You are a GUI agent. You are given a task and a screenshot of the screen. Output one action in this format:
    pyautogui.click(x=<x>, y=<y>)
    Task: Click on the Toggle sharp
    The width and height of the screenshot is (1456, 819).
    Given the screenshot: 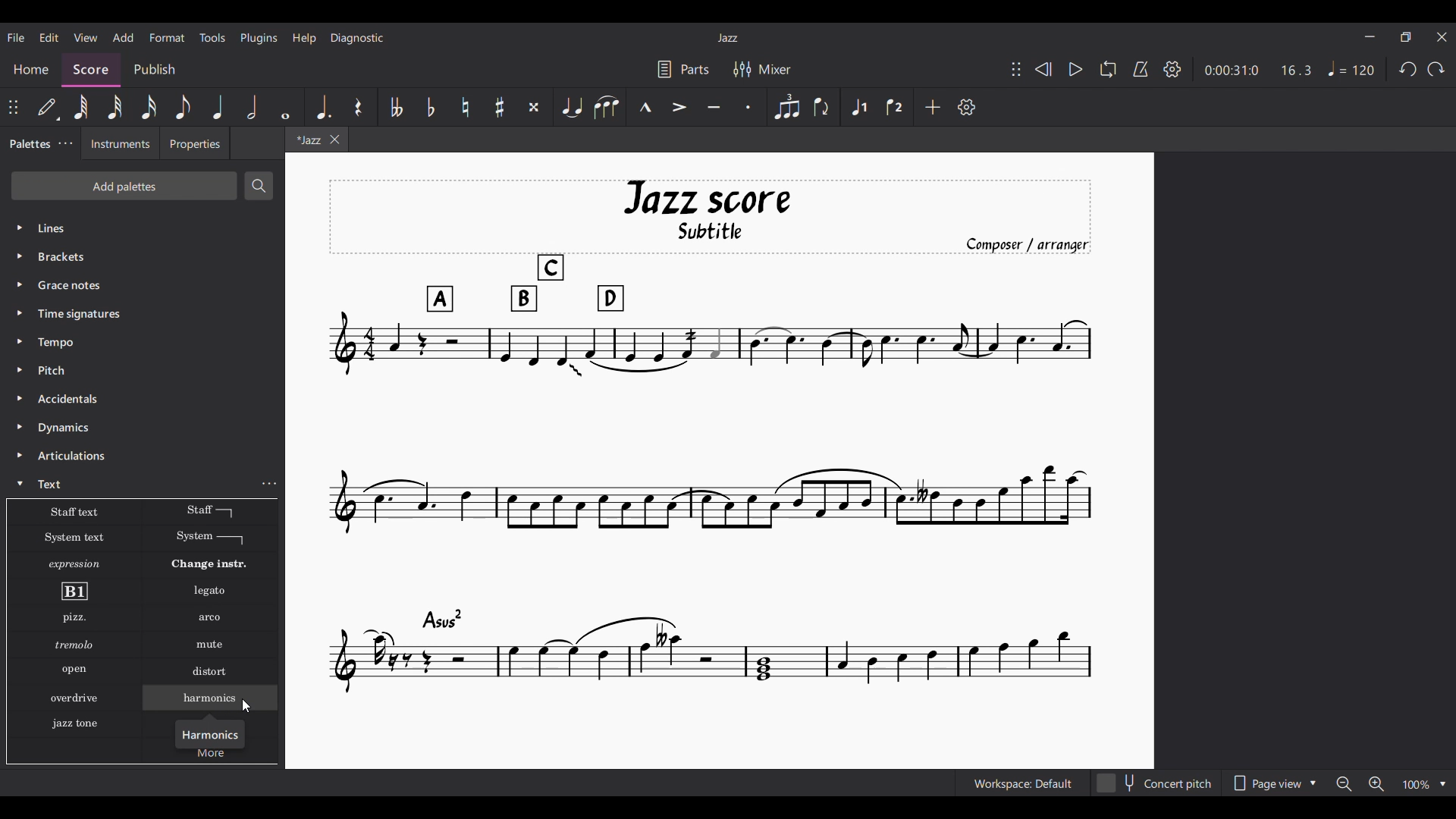 What is the action you would take?
    pyautogui.click(x=500, y=106)
    